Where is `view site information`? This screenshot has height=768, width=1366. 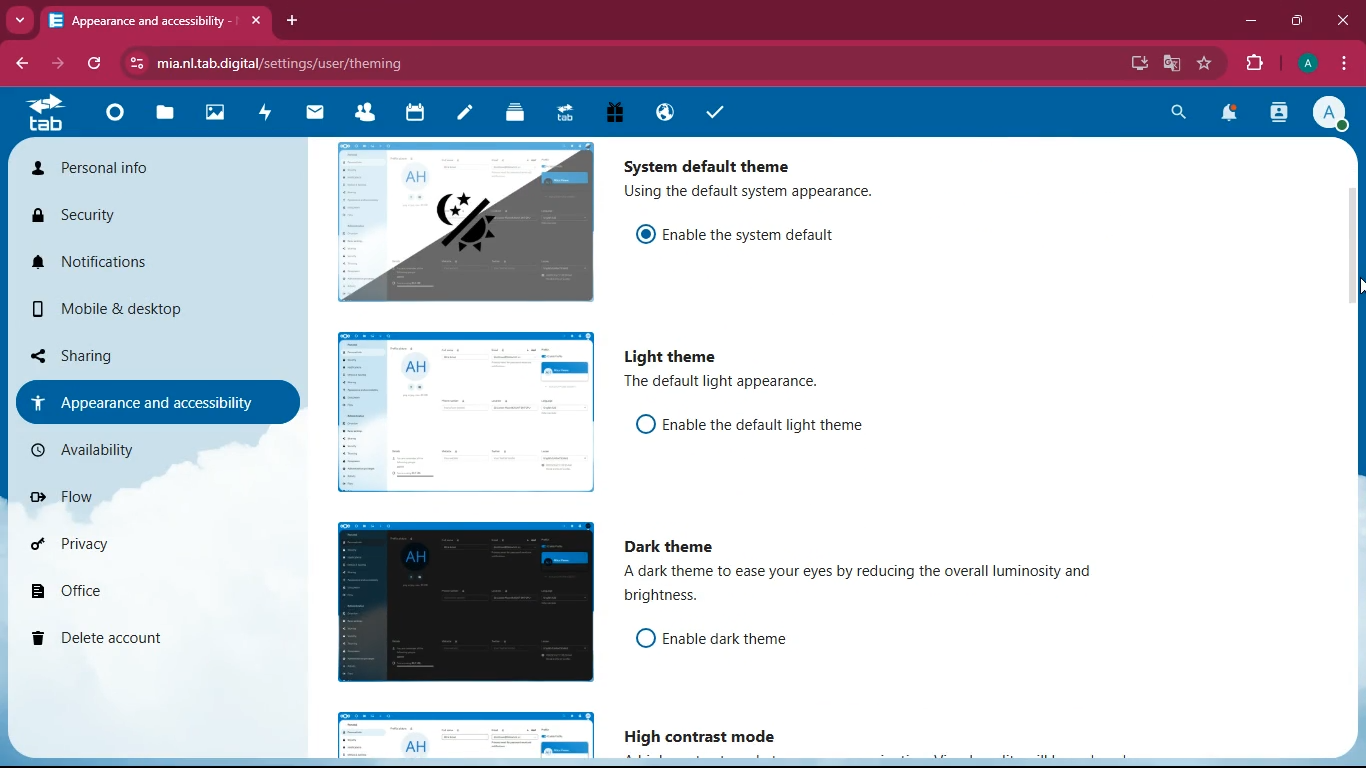 view site information is located at coordinates (139, 64).